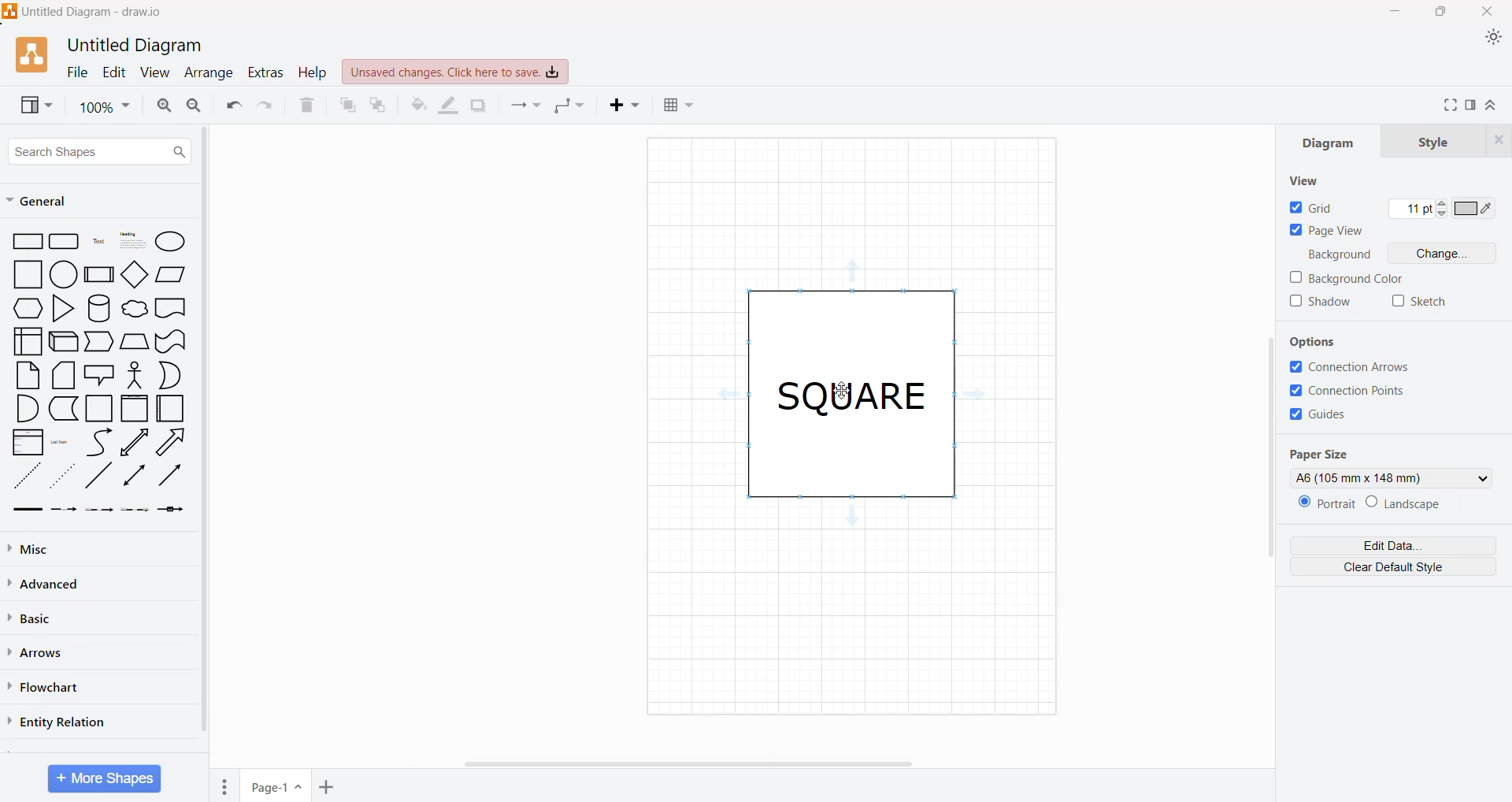  I want to click on cloud, so click(134, 310).